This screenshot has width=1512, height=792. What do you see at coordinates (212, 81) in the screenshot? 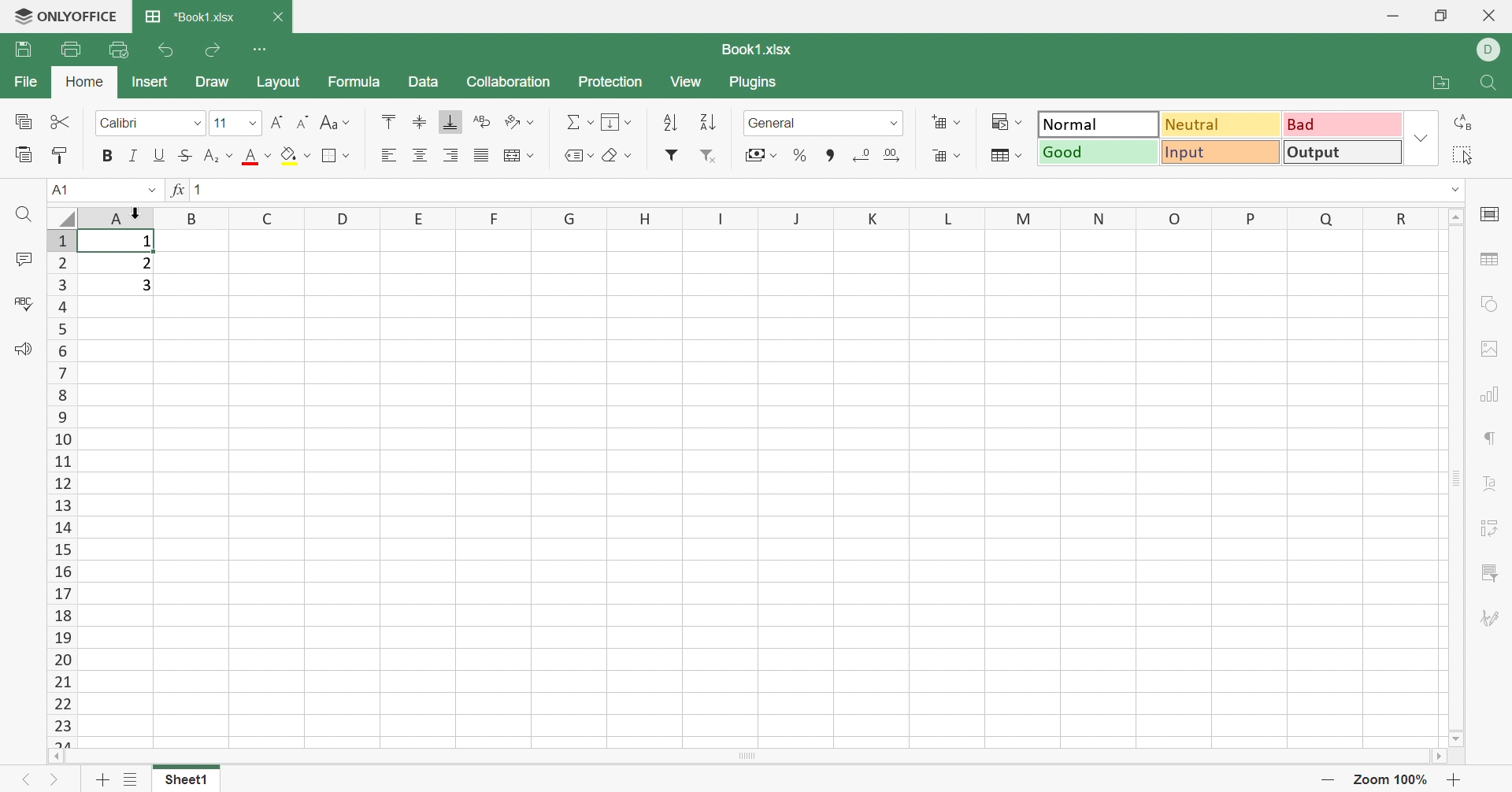
I see `Draw` at bounding box center [212, 81].